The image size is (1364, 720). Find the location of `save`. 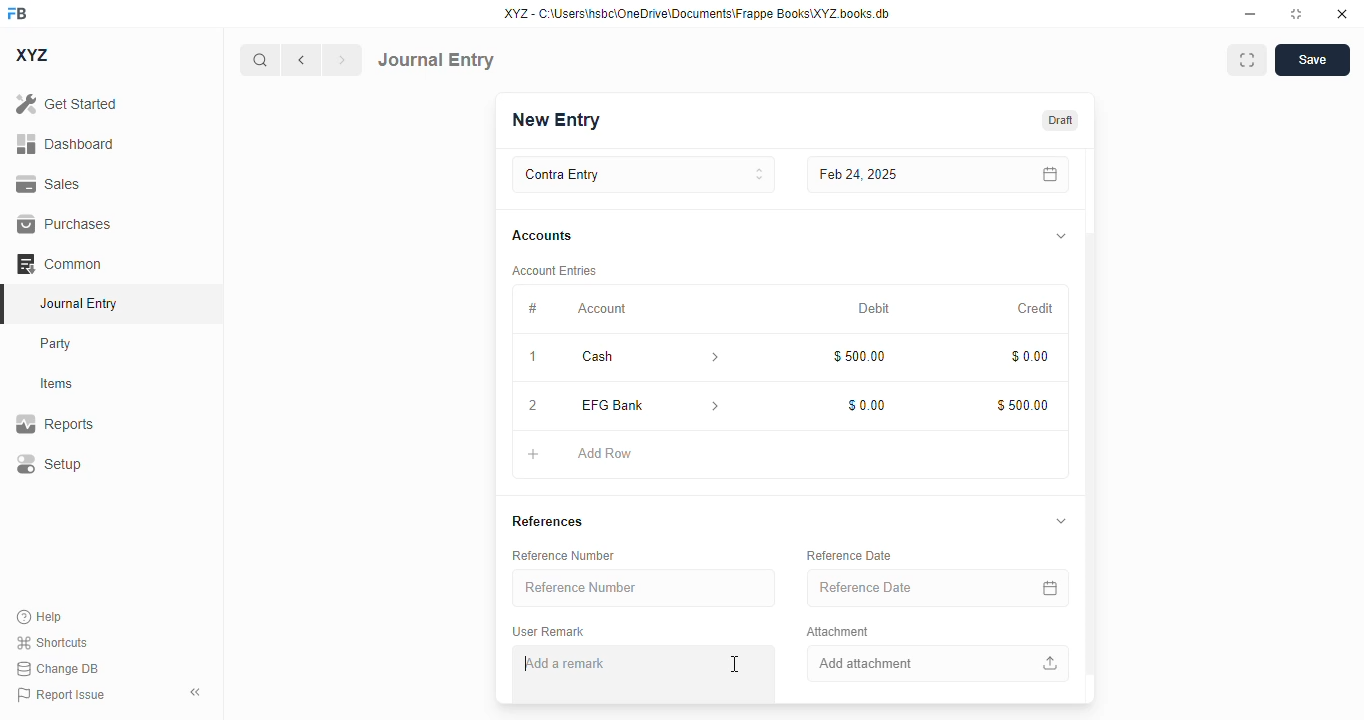

save is located at coordinates (1312, 60).